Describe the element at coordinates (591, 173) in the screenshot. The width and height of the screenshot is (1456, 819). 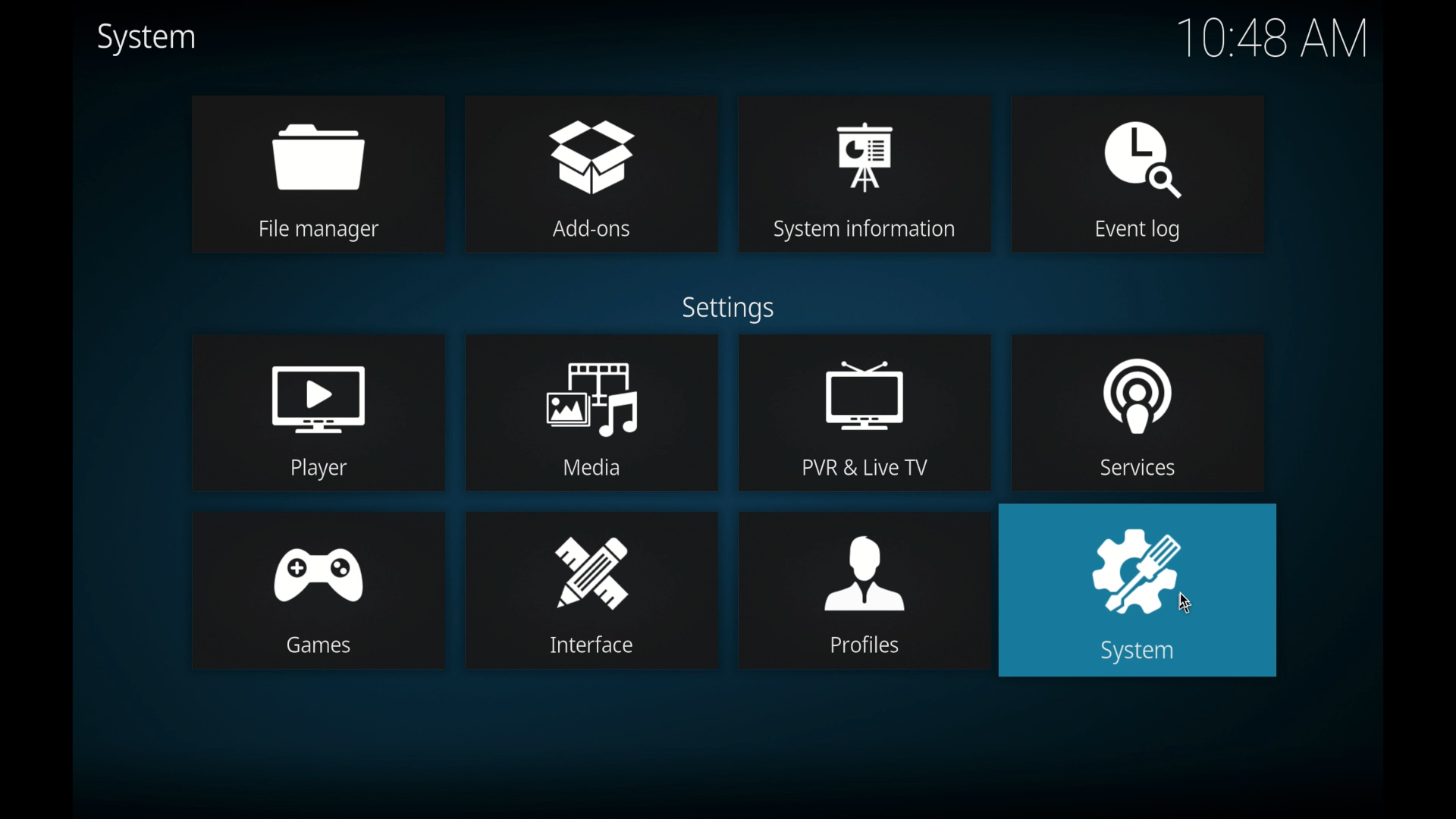
I see `add-ons` at that location.